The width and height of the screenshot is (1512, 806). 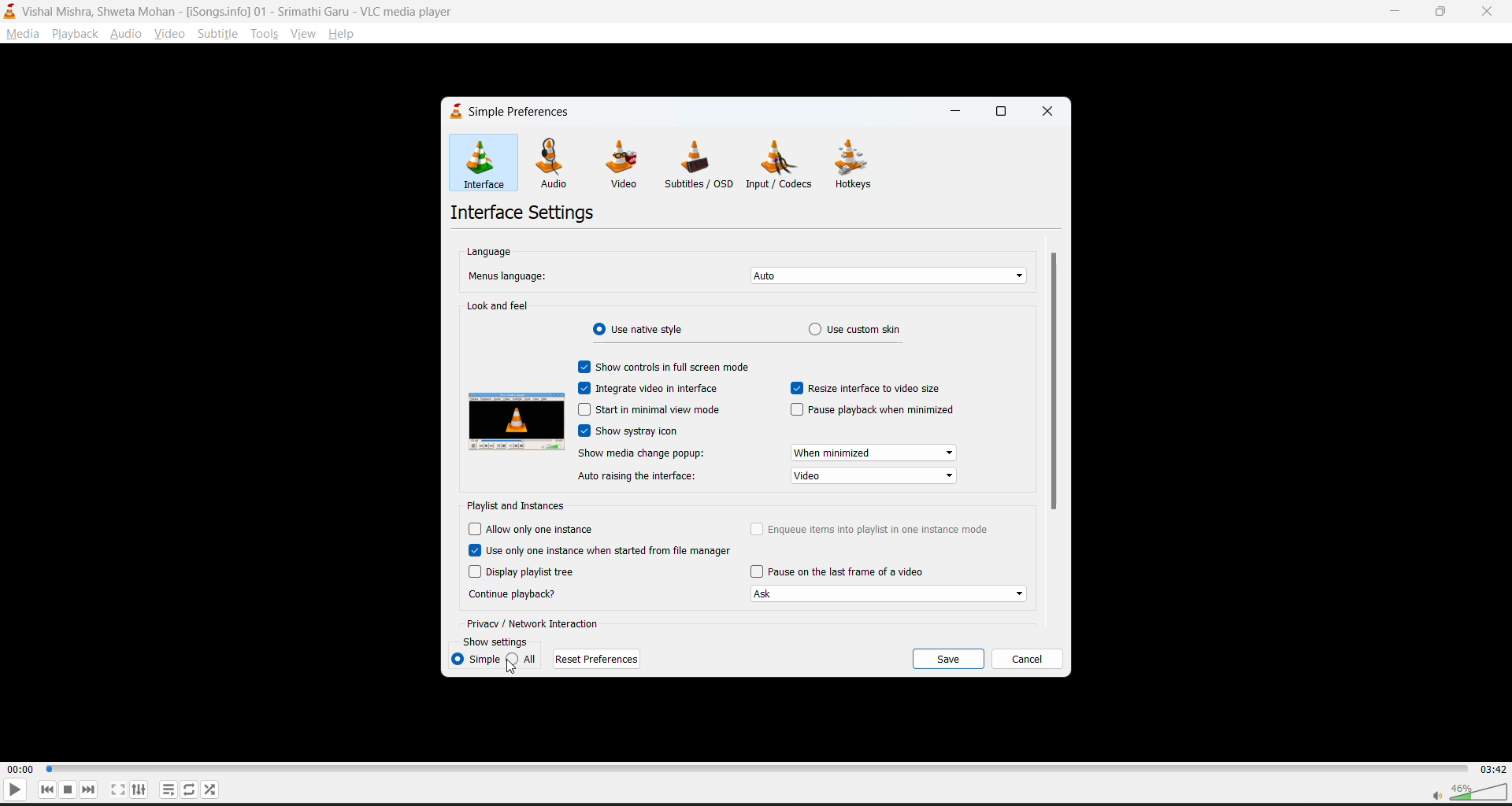 What do you see at coordinates (346, 34) in the screenshot?
I see `help` at bounding box center [346, 34].